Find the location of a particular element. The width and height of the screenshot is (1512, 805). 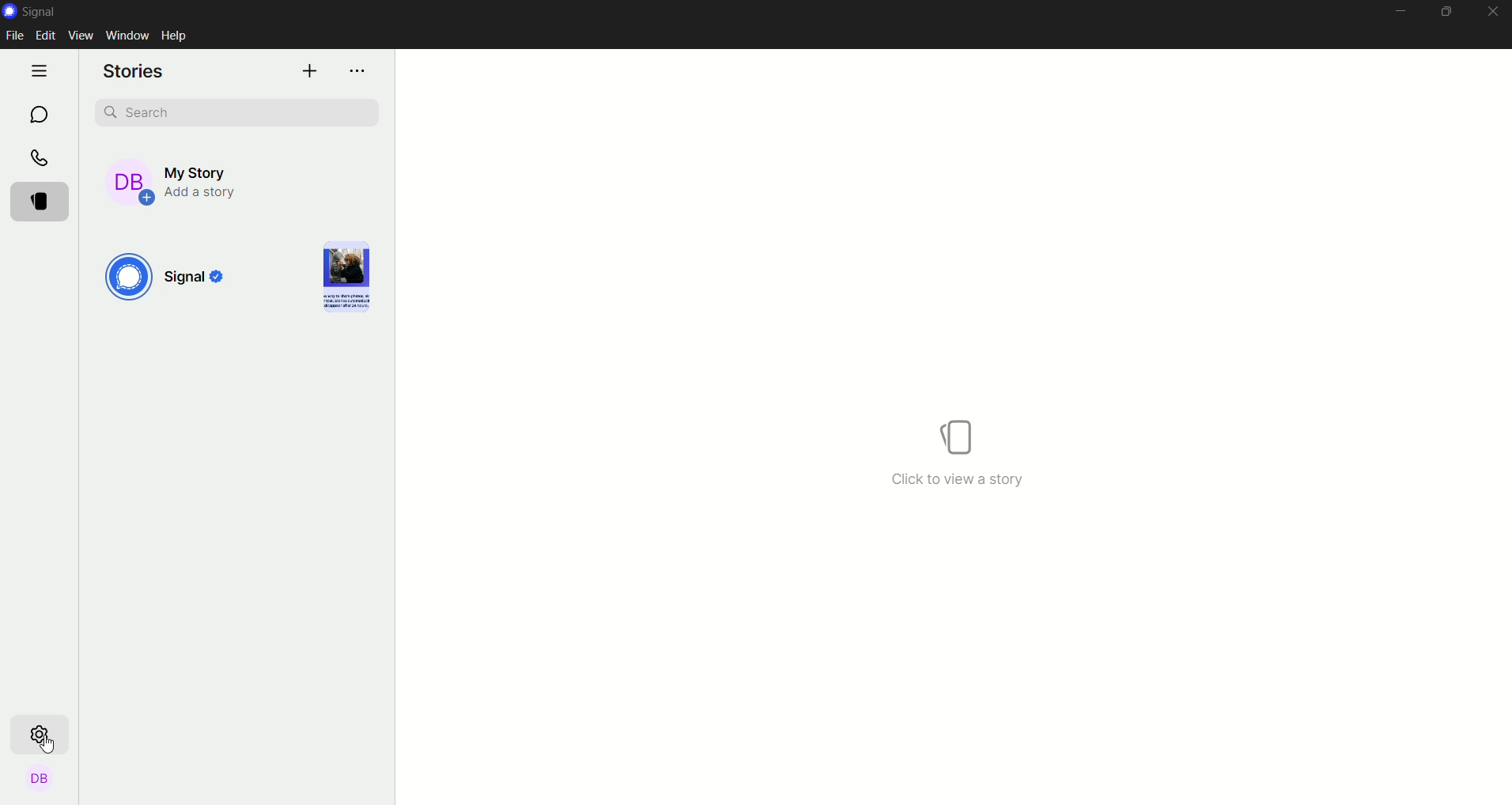

image is located at coordinates (342, 276).